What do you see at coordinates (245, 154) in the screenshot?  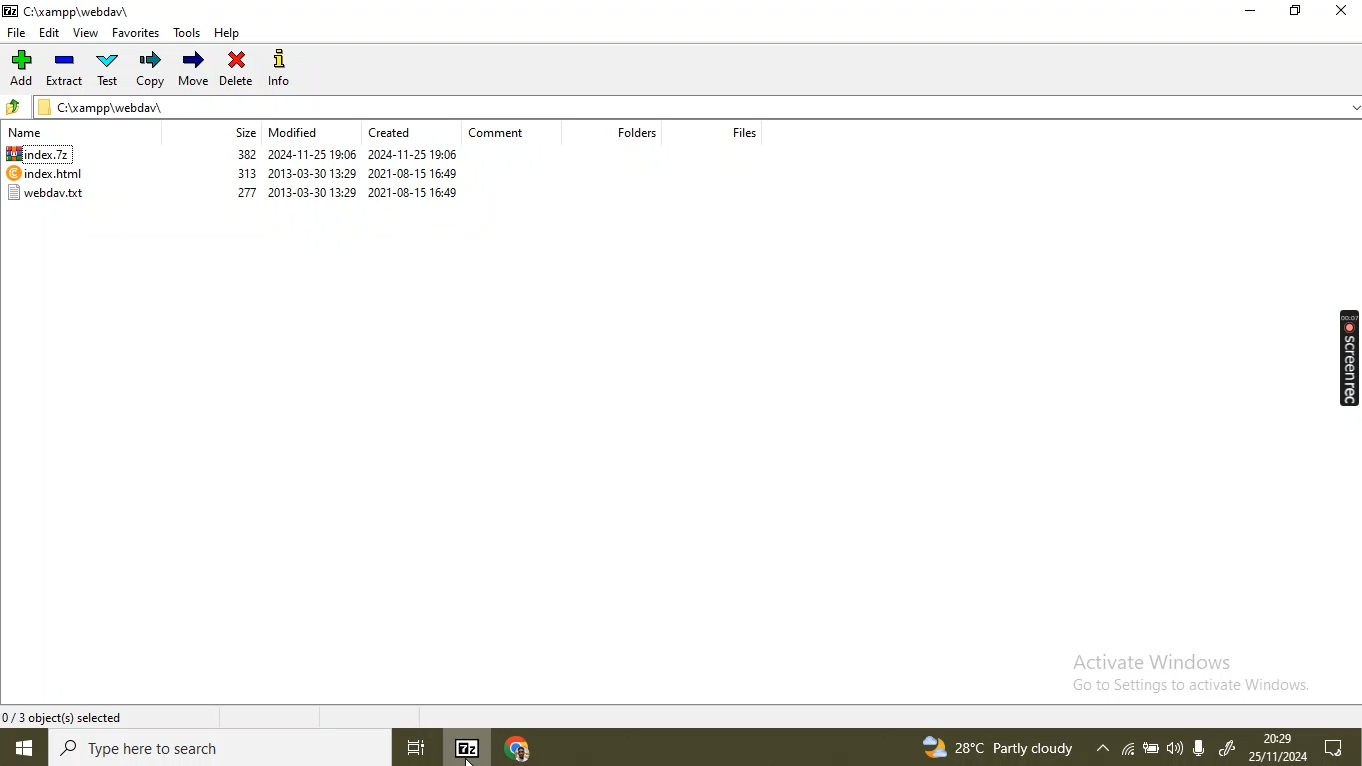 I see `382` at bounding box center [245, 154].